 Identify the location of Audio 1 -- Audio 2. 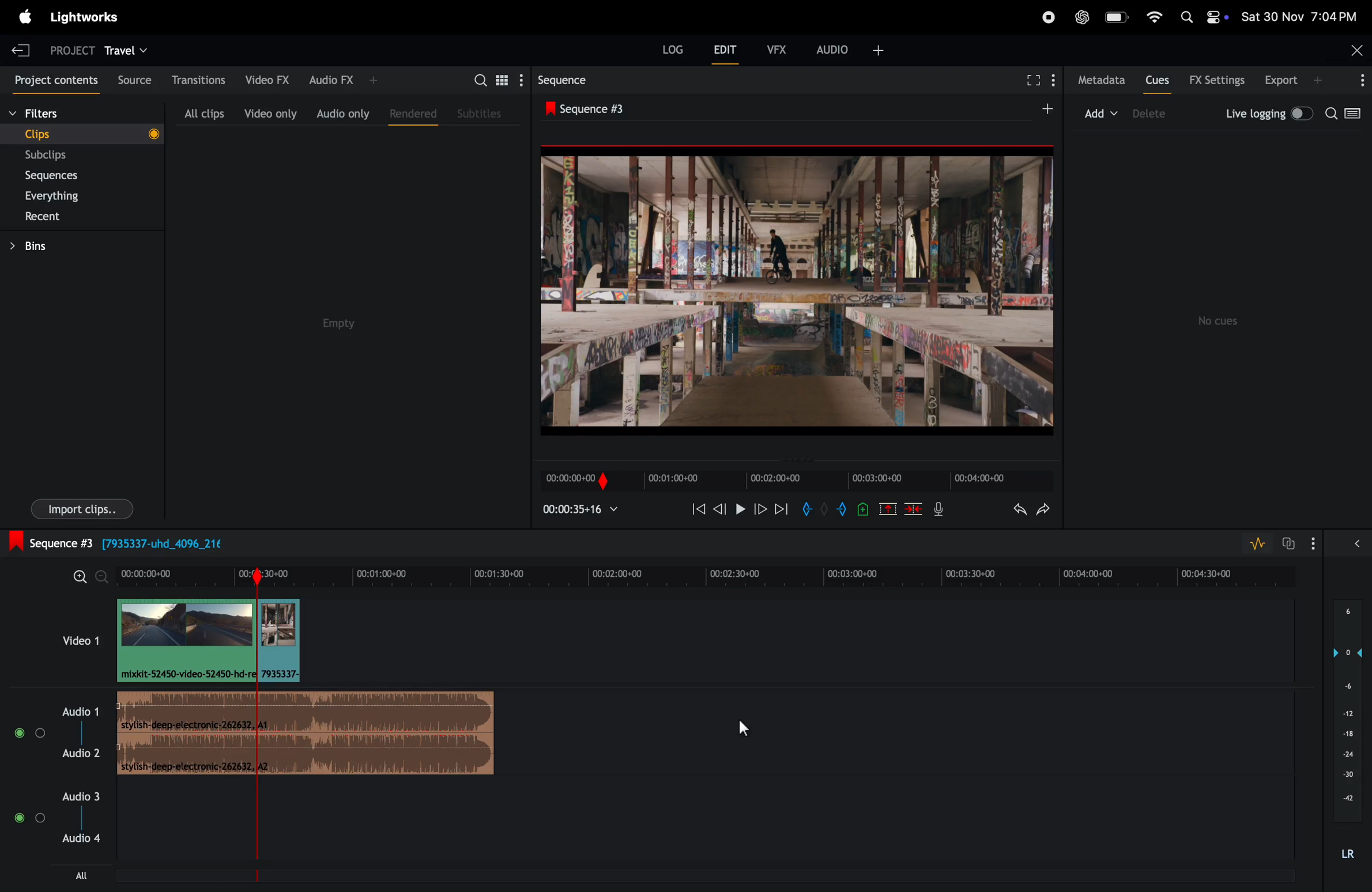
(82, 727).